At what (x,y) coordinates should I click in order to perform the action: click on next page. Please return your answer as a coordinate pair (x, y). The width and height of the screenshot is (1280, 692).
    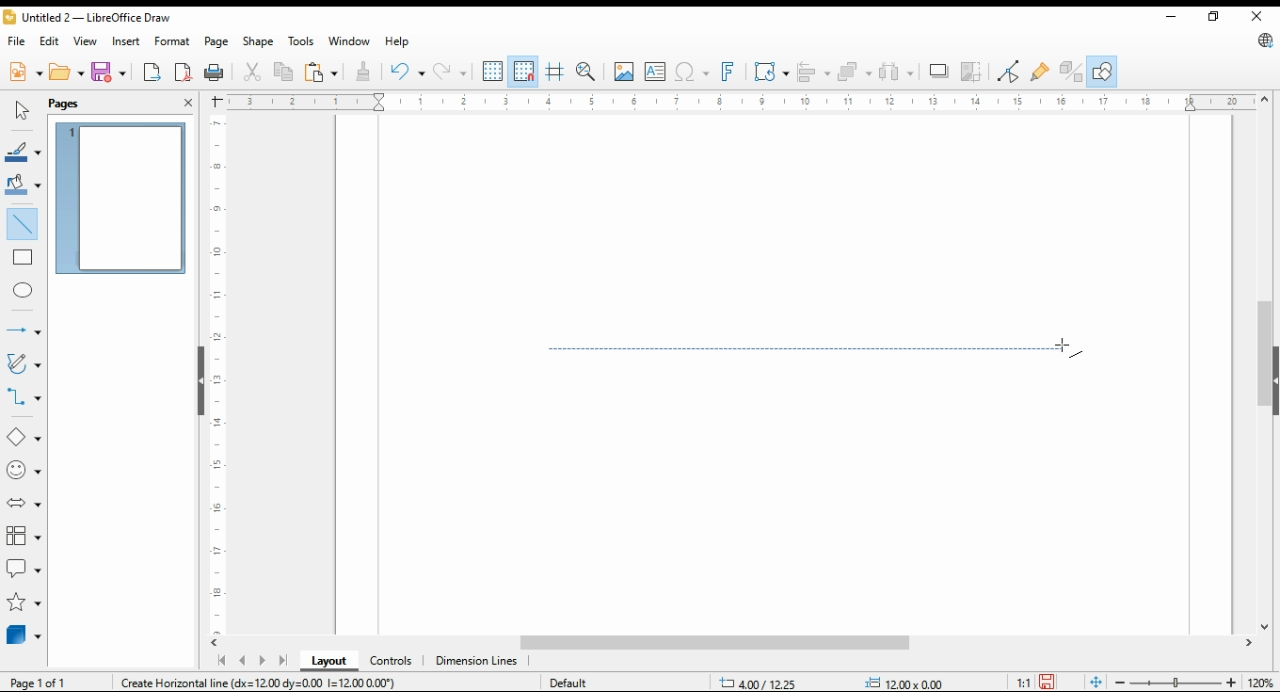
    Looking at the image, I should click on (261, 661).